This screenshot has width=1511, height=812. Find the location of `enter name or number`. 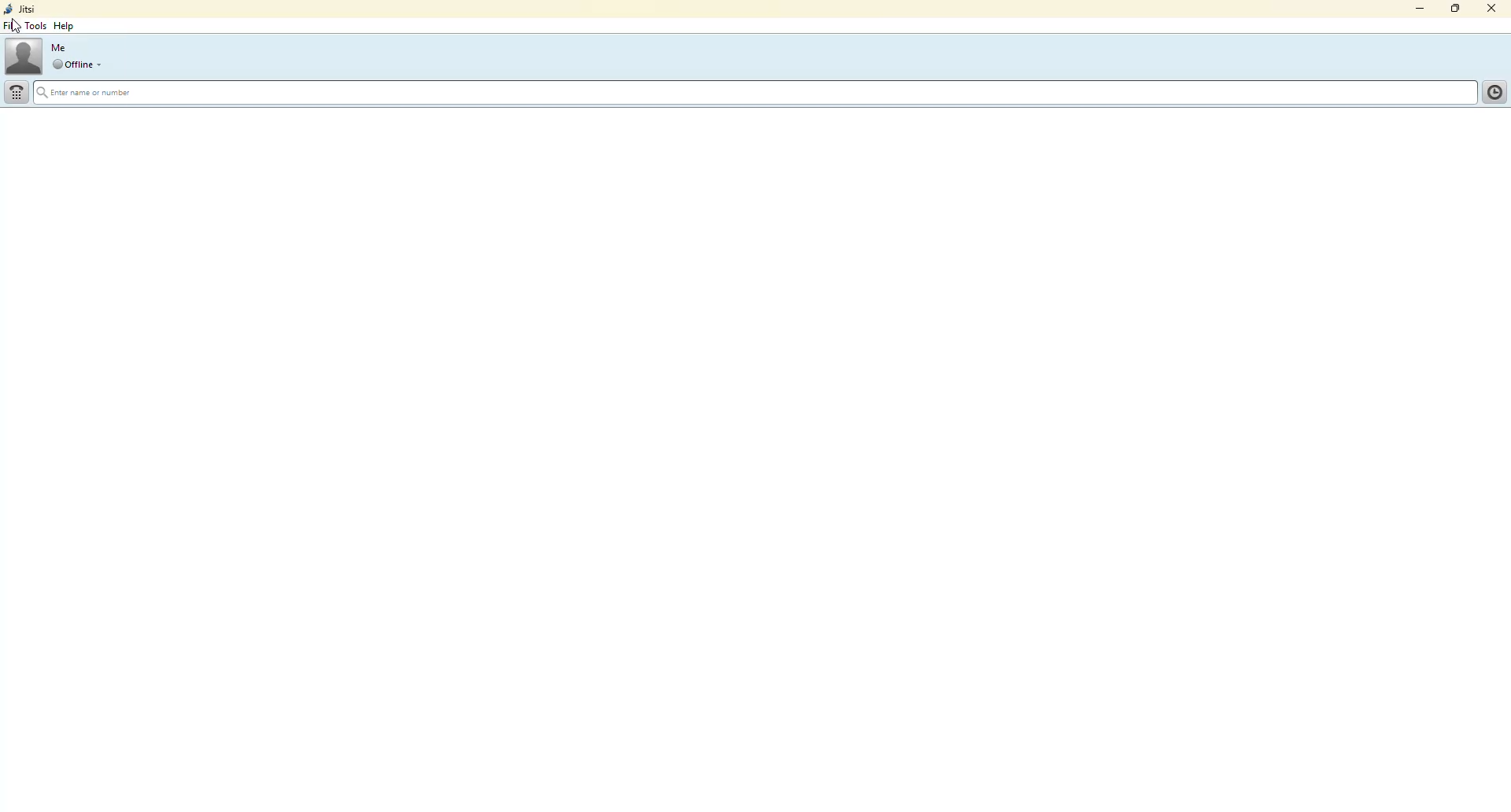

enter name or number is located at coordinates (106, 93).